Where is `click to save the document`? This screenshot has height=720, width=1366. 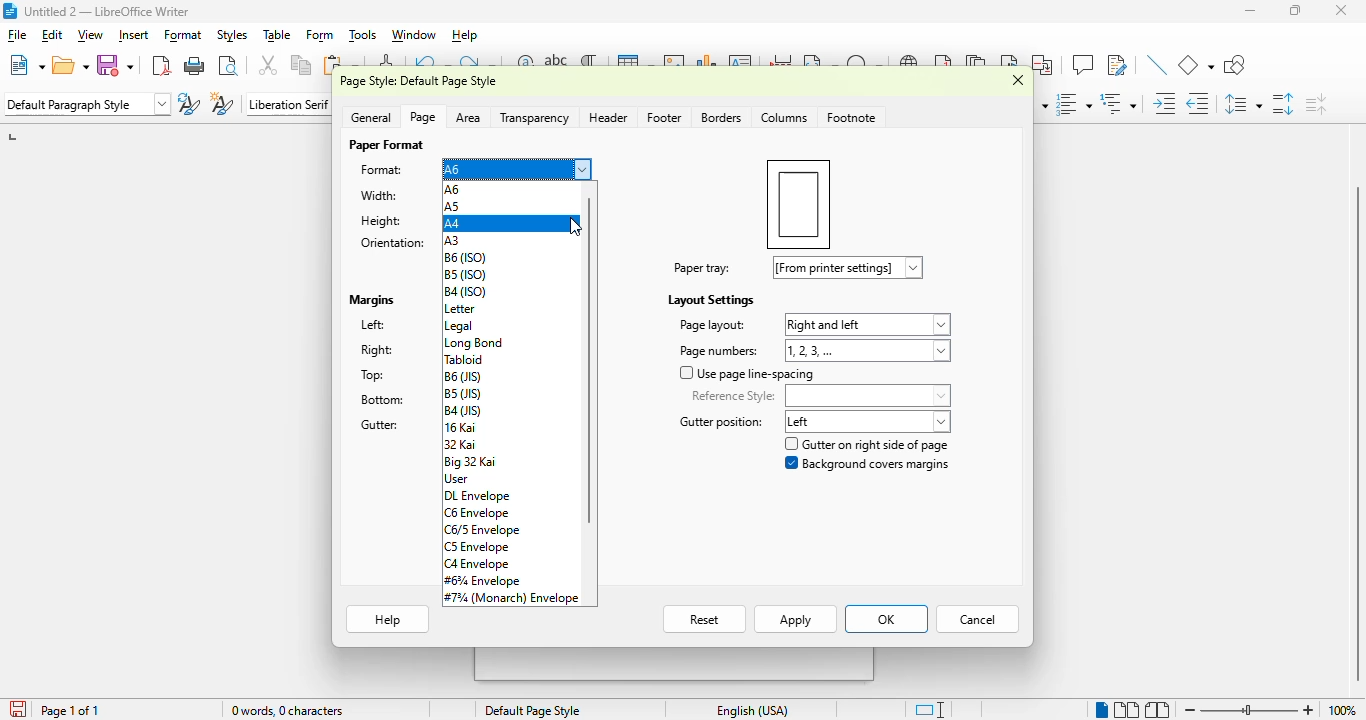 click to save the document is located at coordinates (19, 709).